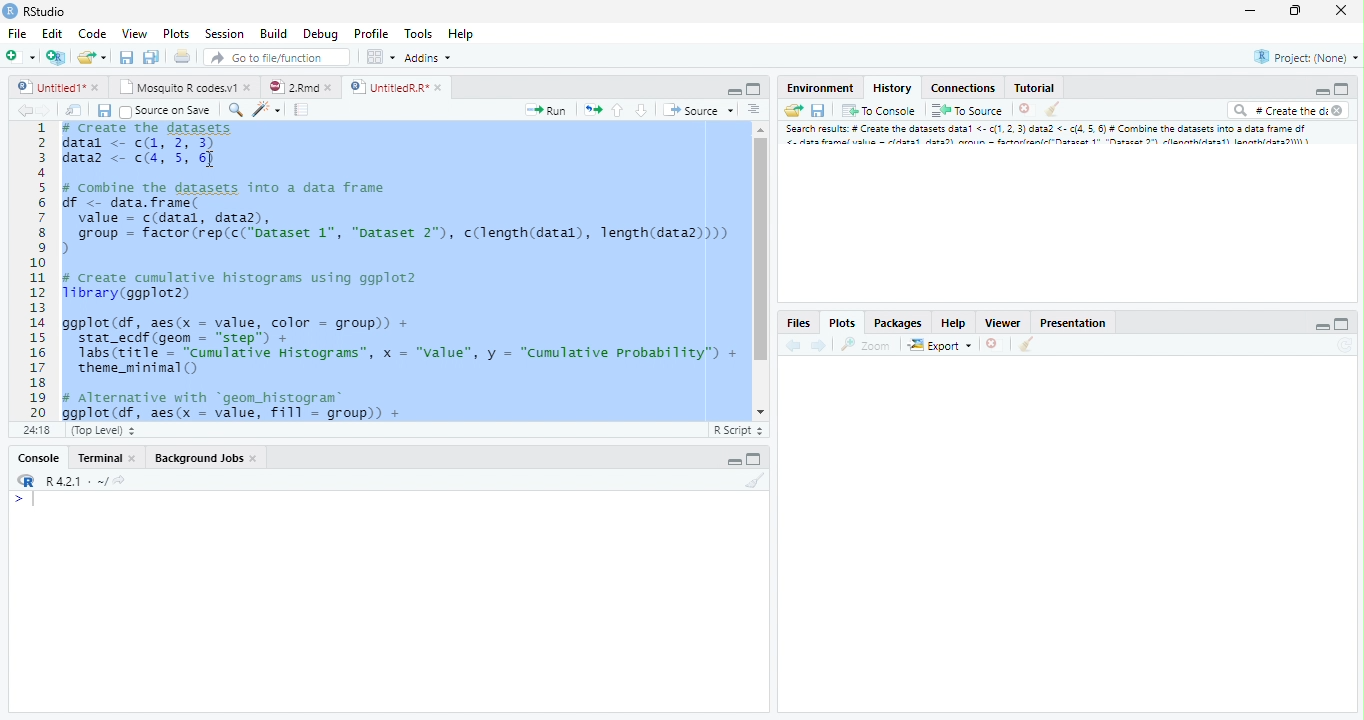 The height and width of the screenshot is (720, 1364). Describe the element at coordinates (593, 112) in the screenshot. I see `Pages` at that location.